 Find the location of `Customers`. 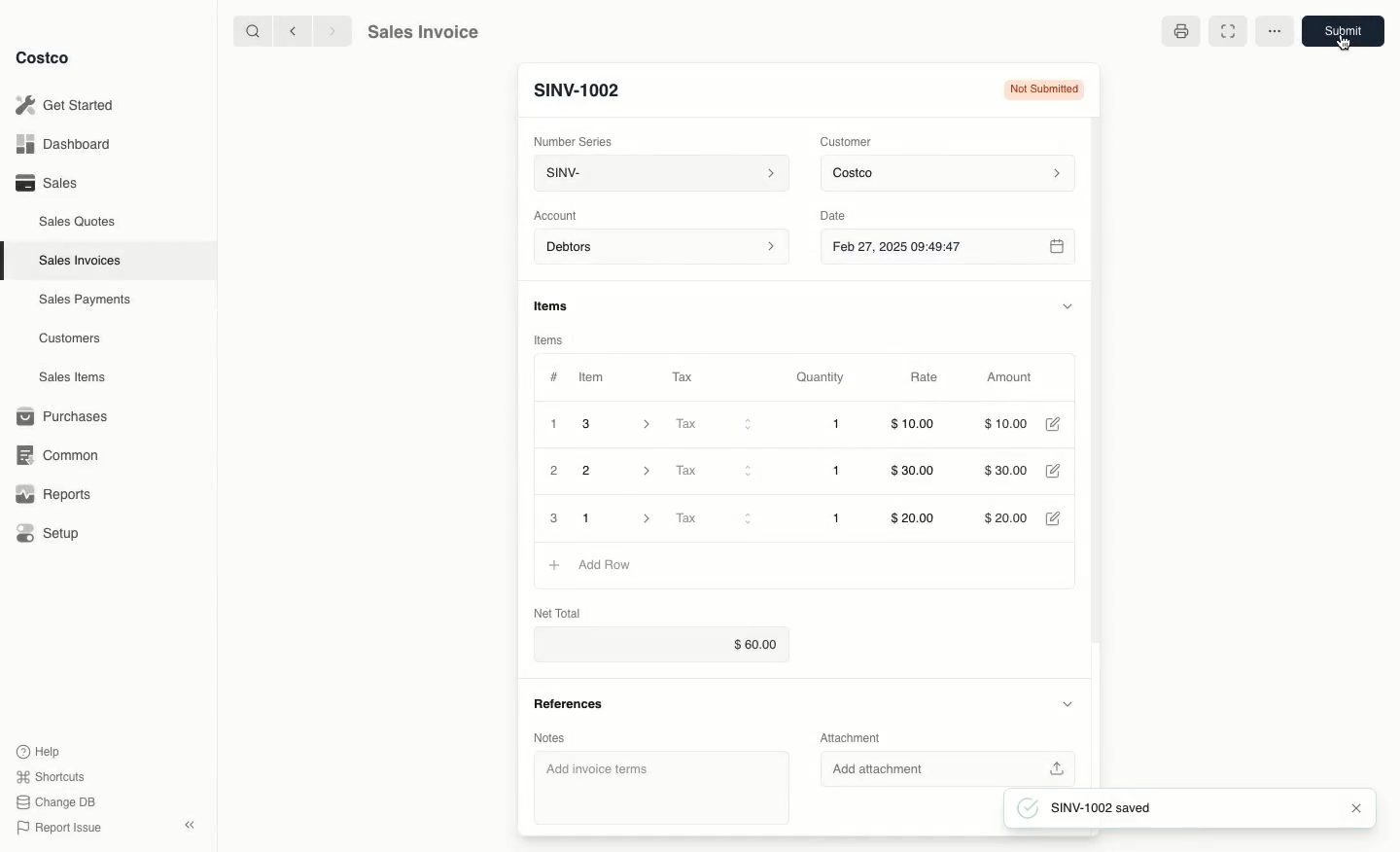

Customers is located at coordinates (73, 338).